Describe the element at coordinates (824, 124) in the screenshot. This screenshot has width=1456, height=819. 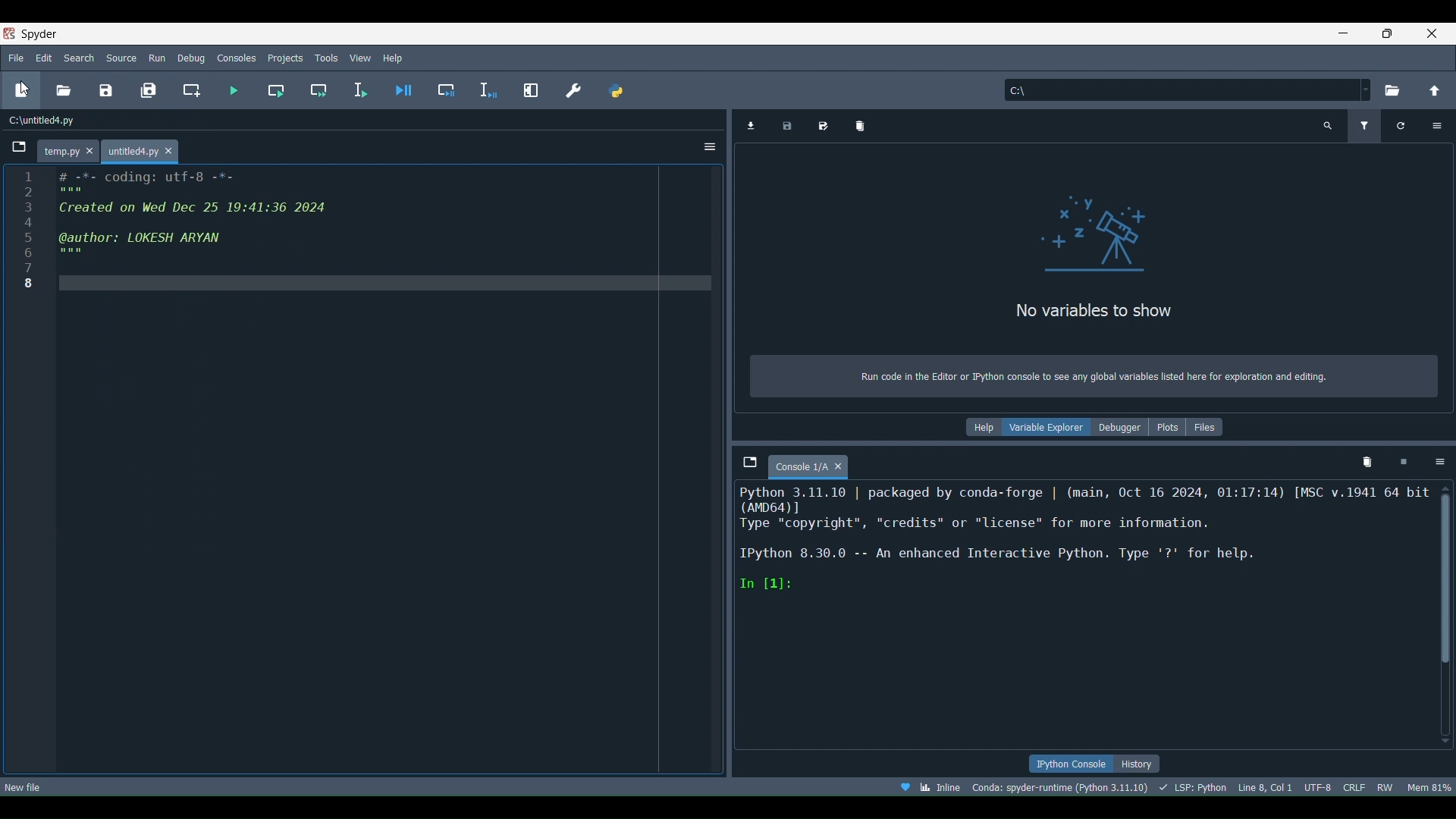
I see `Save data as` at that location.